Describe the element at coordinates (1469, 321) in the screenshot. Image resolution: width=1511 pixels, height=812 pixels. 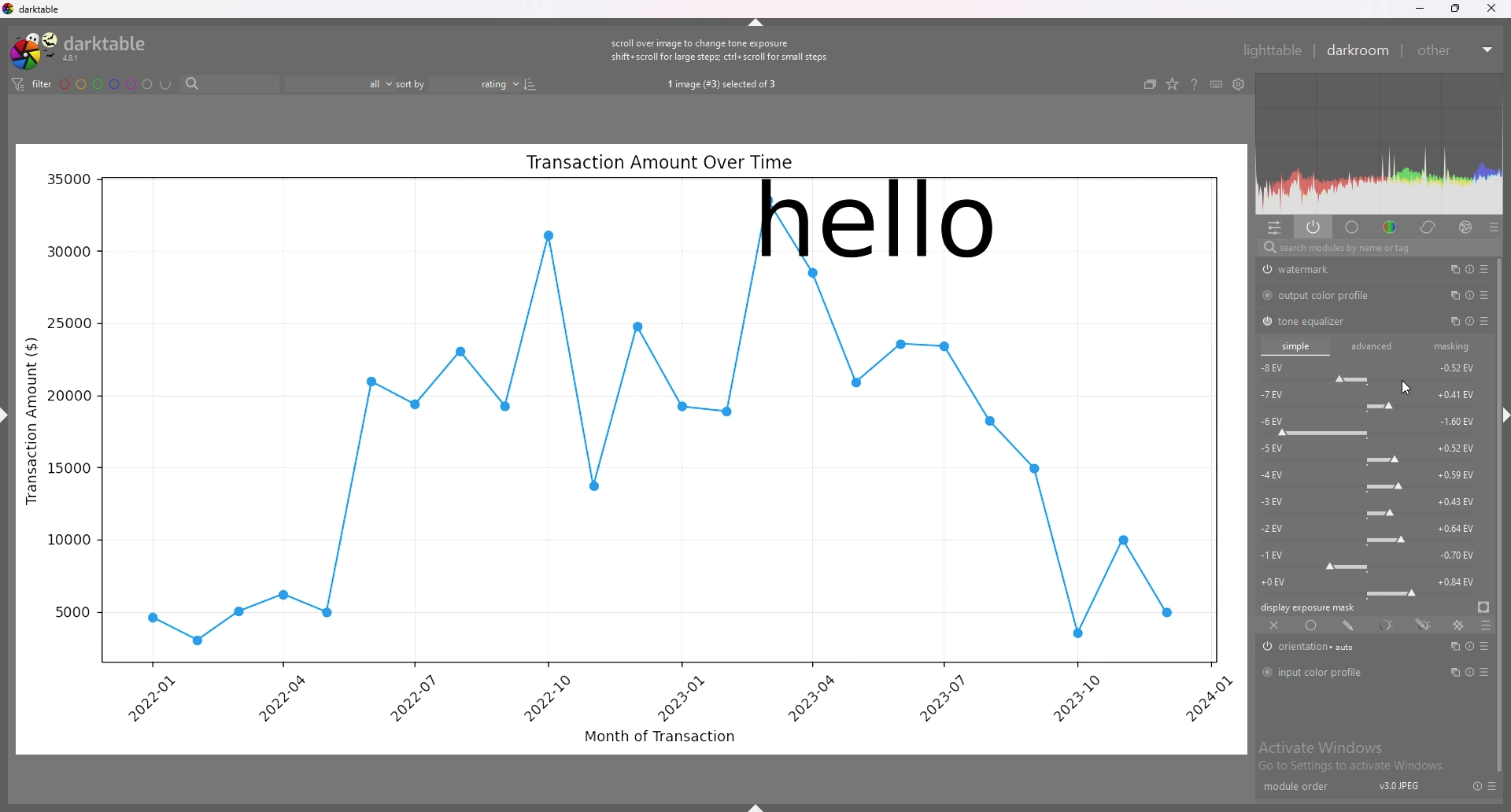
I see `multiple instance actions, reset and presets` at that location.